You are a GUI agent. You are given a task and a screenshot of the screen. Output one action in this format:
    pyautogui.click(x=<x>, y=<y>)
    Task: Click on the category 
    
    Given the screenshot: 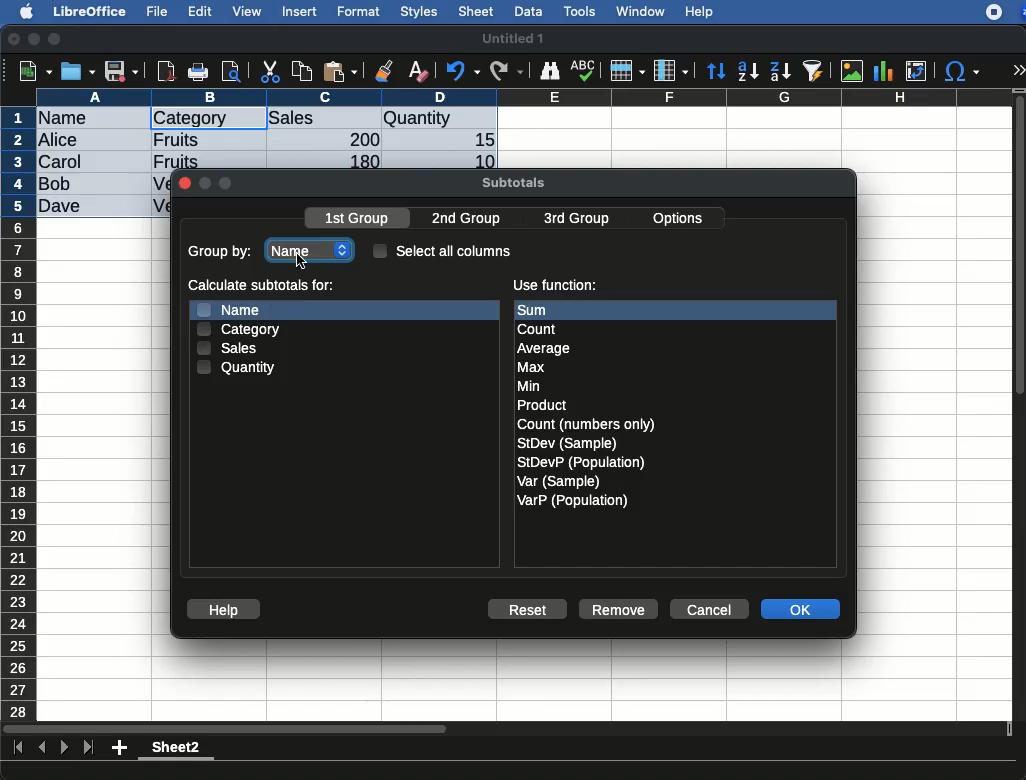 What is the action you would take?
    pyautogui.click(x=238, y=329)
    